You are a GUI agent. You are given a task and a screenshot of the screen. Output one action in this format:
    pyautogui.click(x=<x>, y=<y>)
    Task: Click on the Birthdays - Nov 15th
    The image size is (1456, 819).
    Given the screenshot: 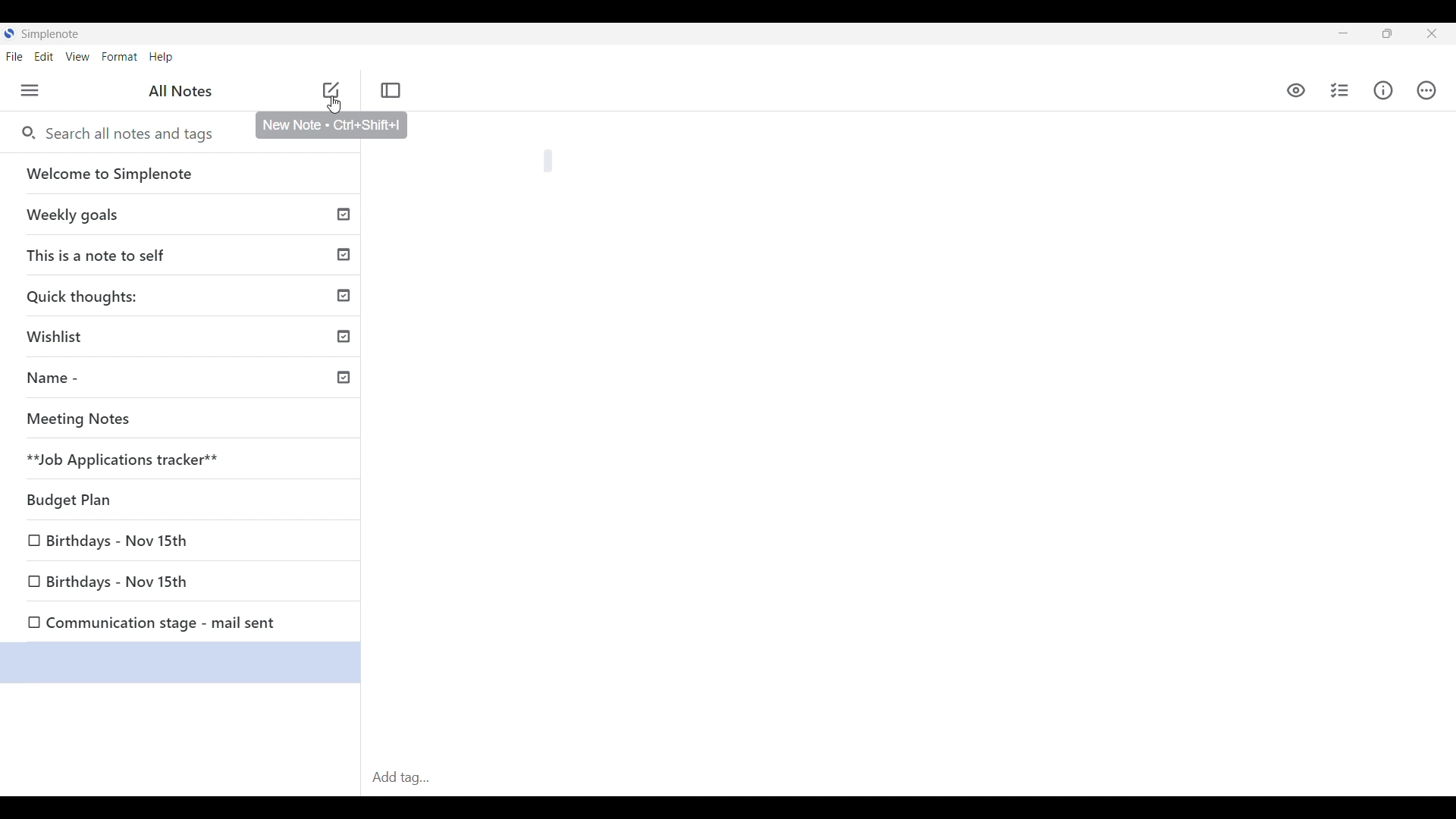 What is the action you would take?
    pyautogui.click(x=183, y=542)
    